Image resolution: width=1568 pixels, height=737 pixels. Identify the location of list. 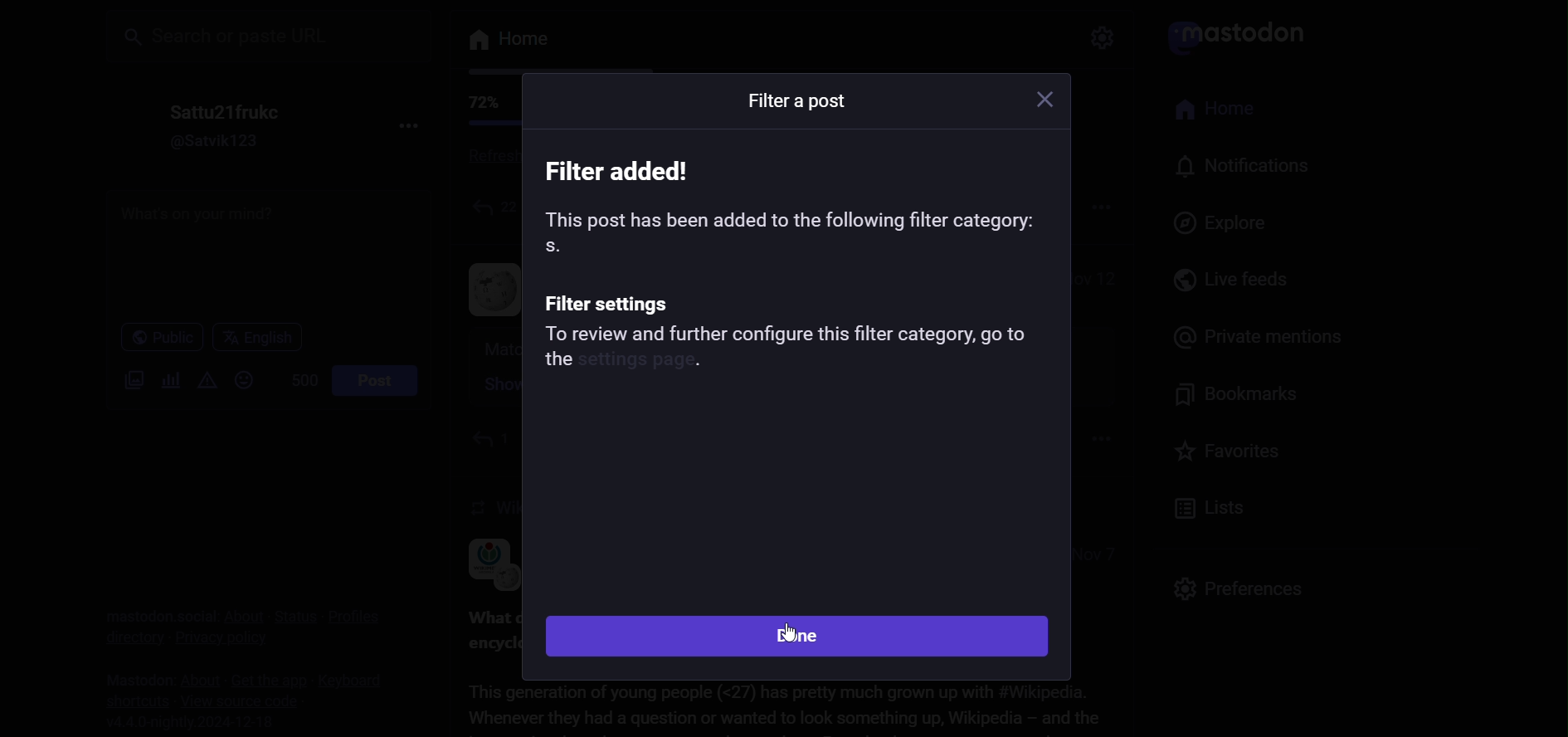
(1211, 509).